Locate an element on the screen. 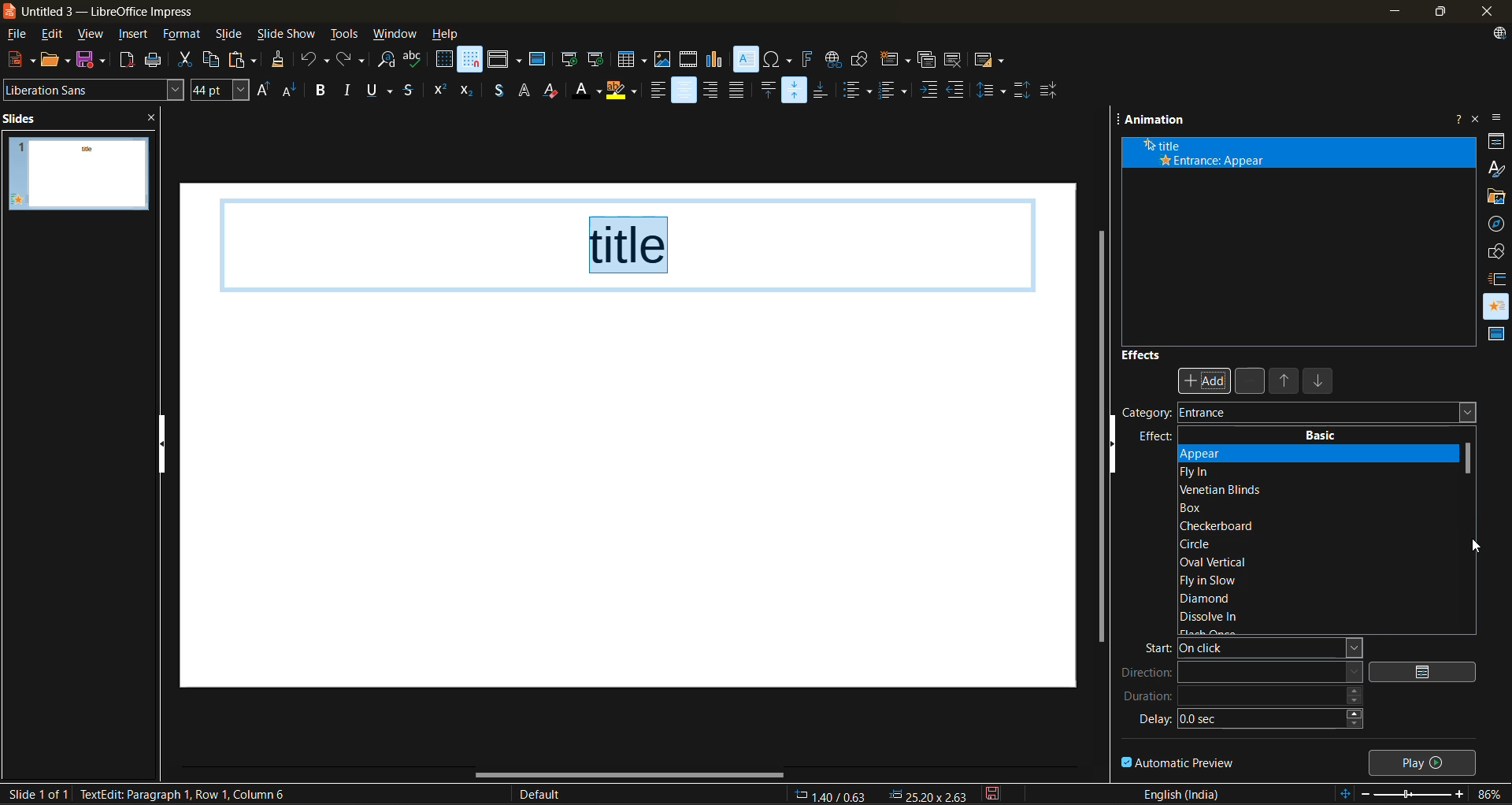  insert audio or video is located at coordinates (689, 61).